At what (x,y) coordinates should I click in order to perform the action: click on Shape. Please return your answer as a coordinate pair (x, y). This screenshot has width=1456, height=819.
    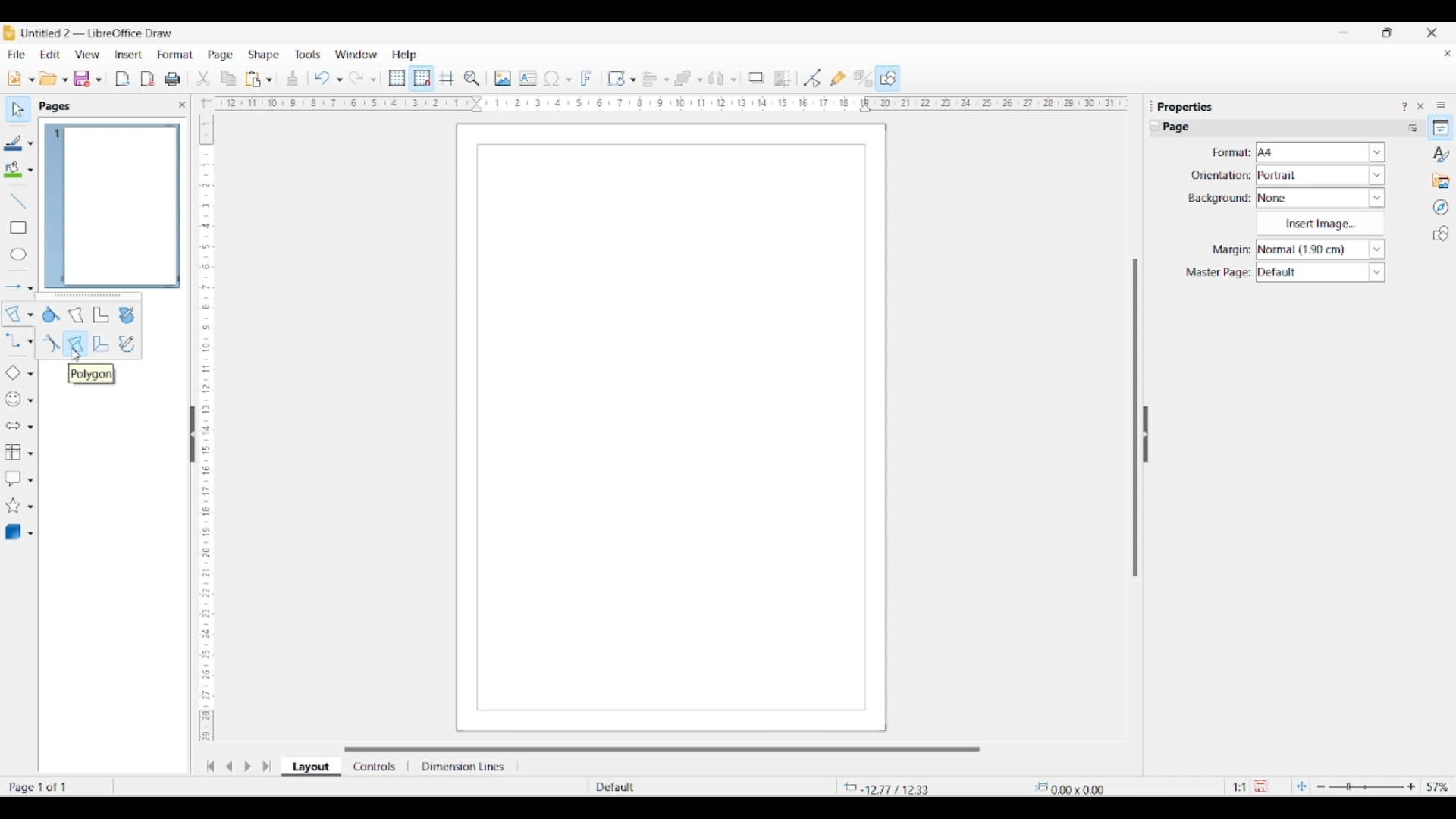
    Looking at the image, I should click on (265, 55).